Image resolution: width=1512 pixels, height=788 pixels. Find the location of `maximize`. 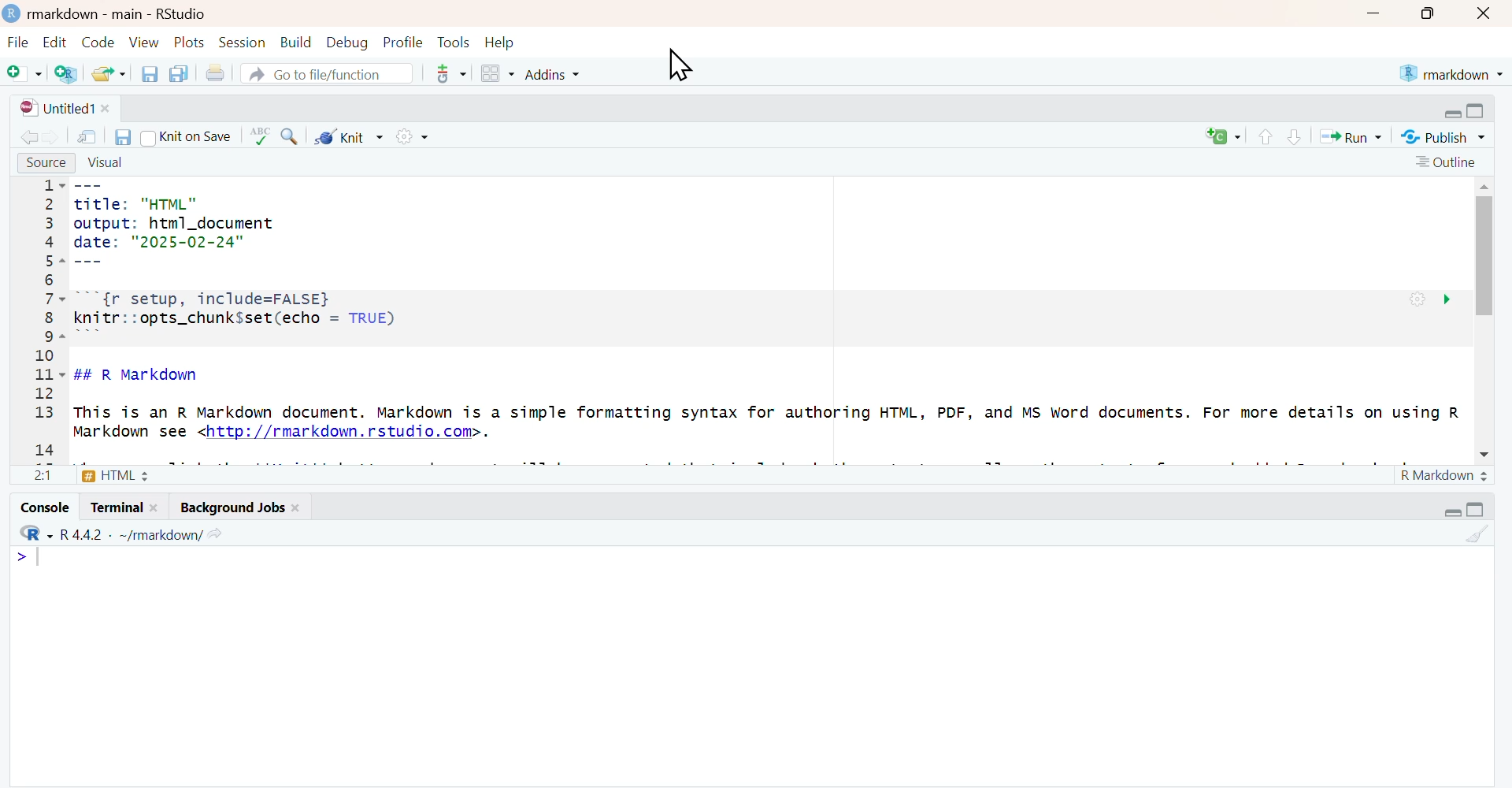

maximize is located at coordinates (1477, 112).